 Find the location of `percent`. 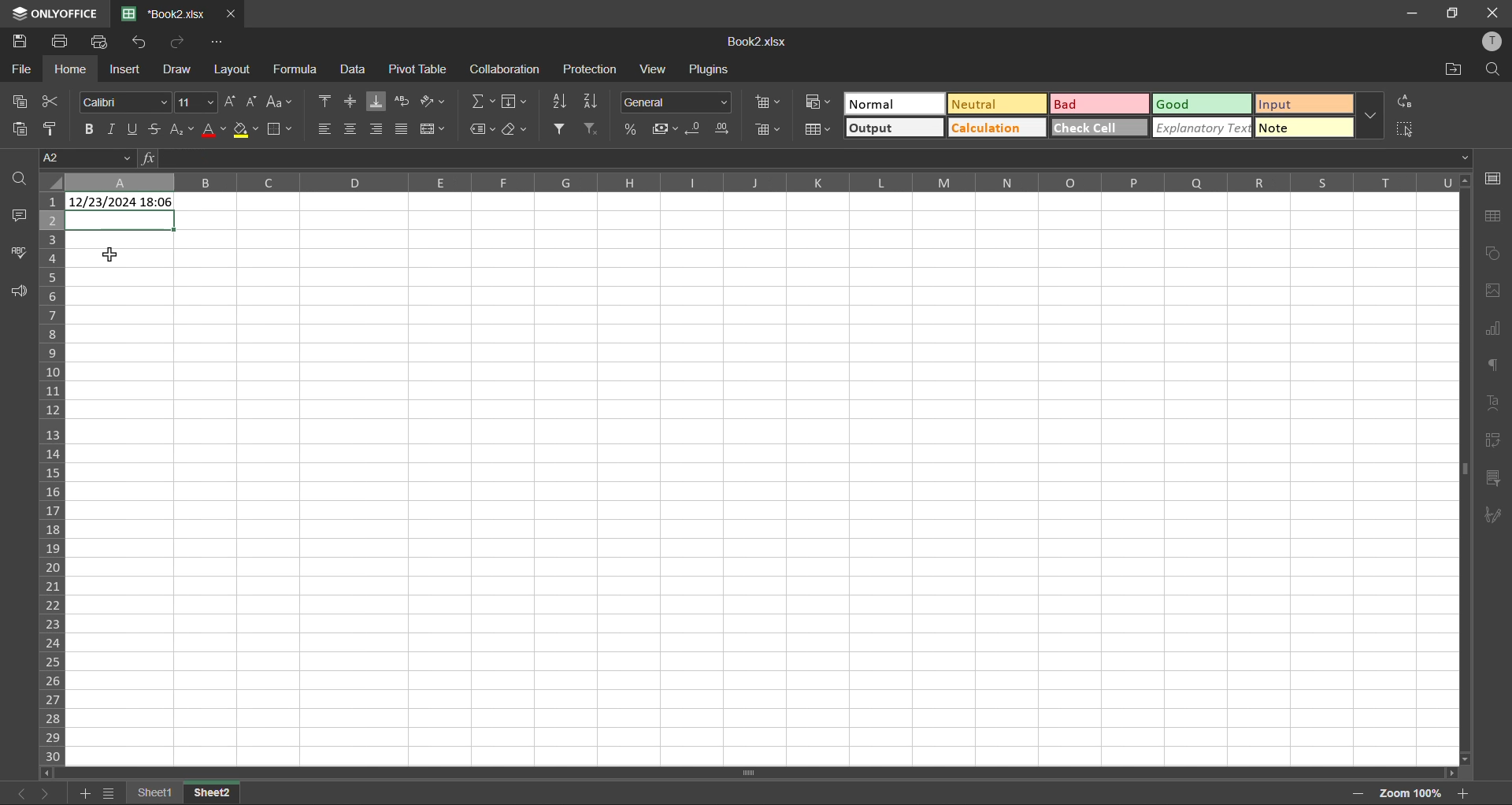

percent is located at coordinates (632, 128).